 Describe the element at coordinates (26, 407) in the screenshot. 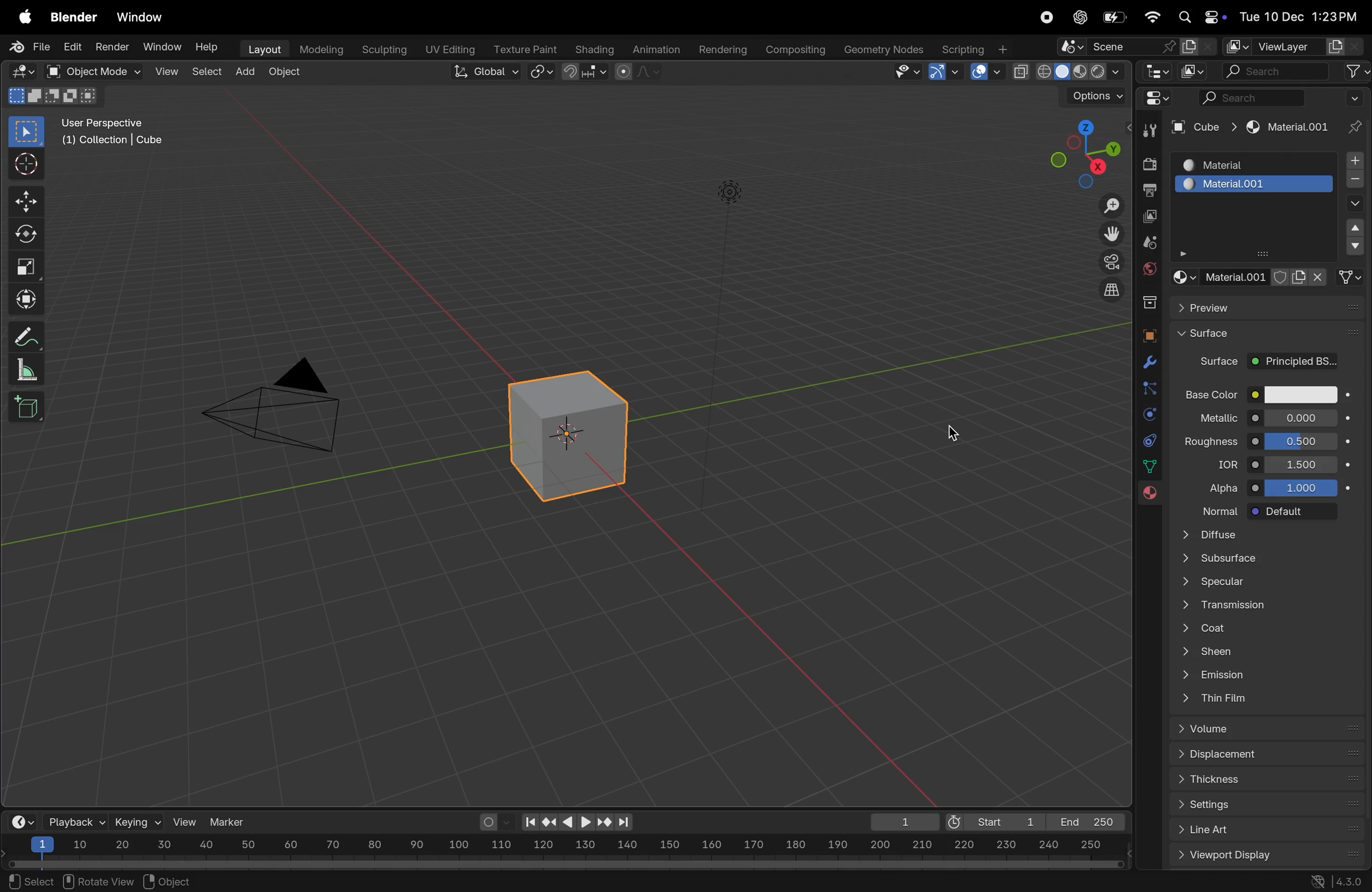

I see `3D cube` at that location.